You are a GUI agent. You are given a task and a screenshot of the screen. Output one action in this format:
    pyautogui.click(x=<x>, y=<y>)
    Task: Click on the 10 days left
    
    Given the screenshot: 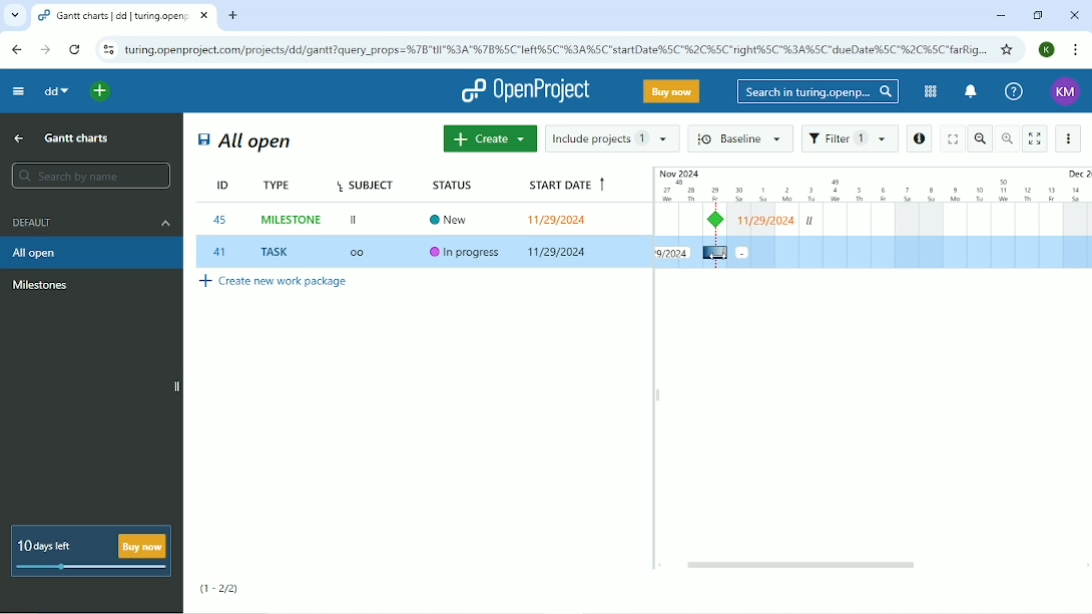 What is the action you would take?
    pyautogui.click(x=89, y=551)
    